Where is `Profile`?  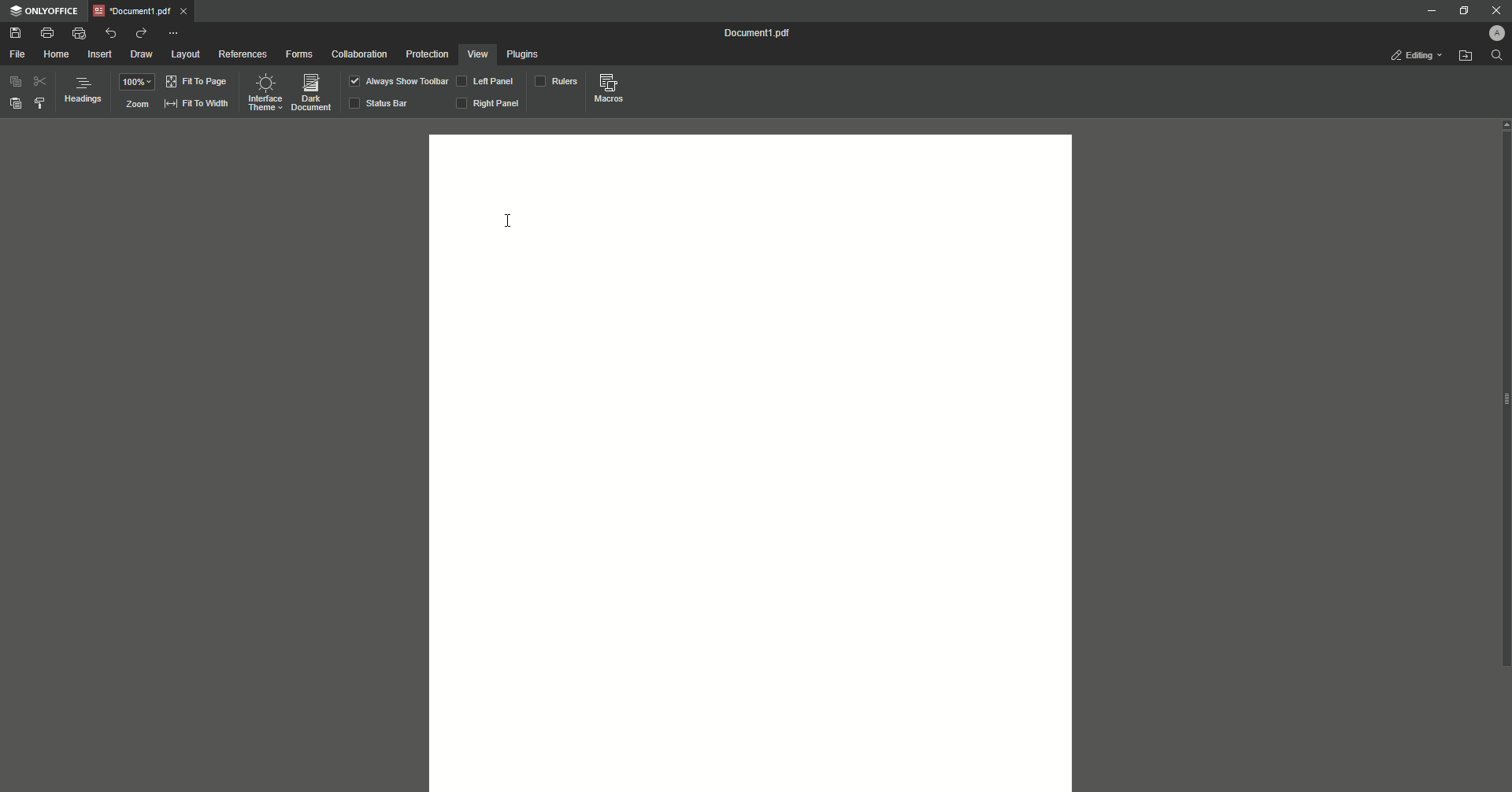 Profile is located at coordinates (1490, 34).